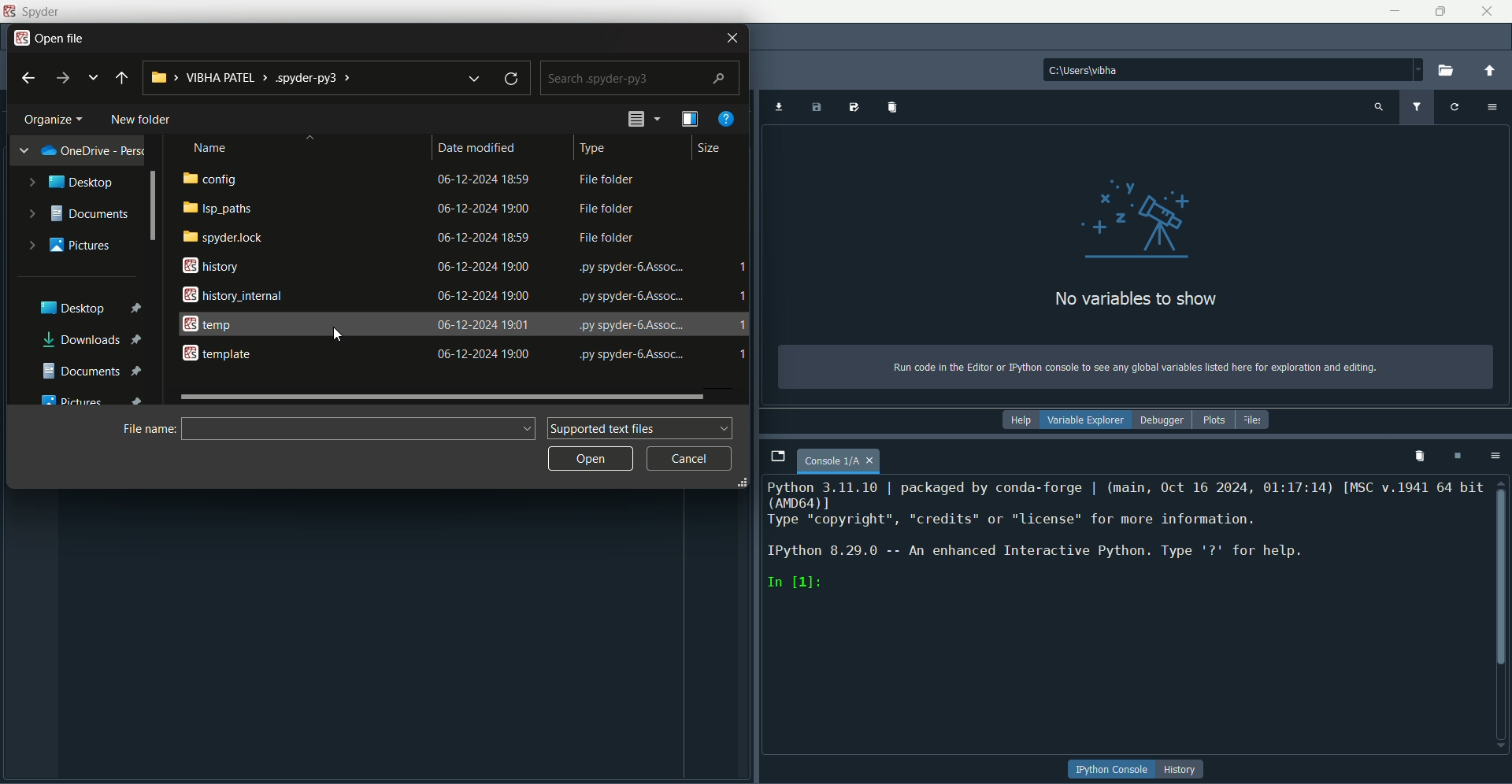 The height and width of the screenshot is (784, 1512). I want to click on change your view, so click(691, 119).